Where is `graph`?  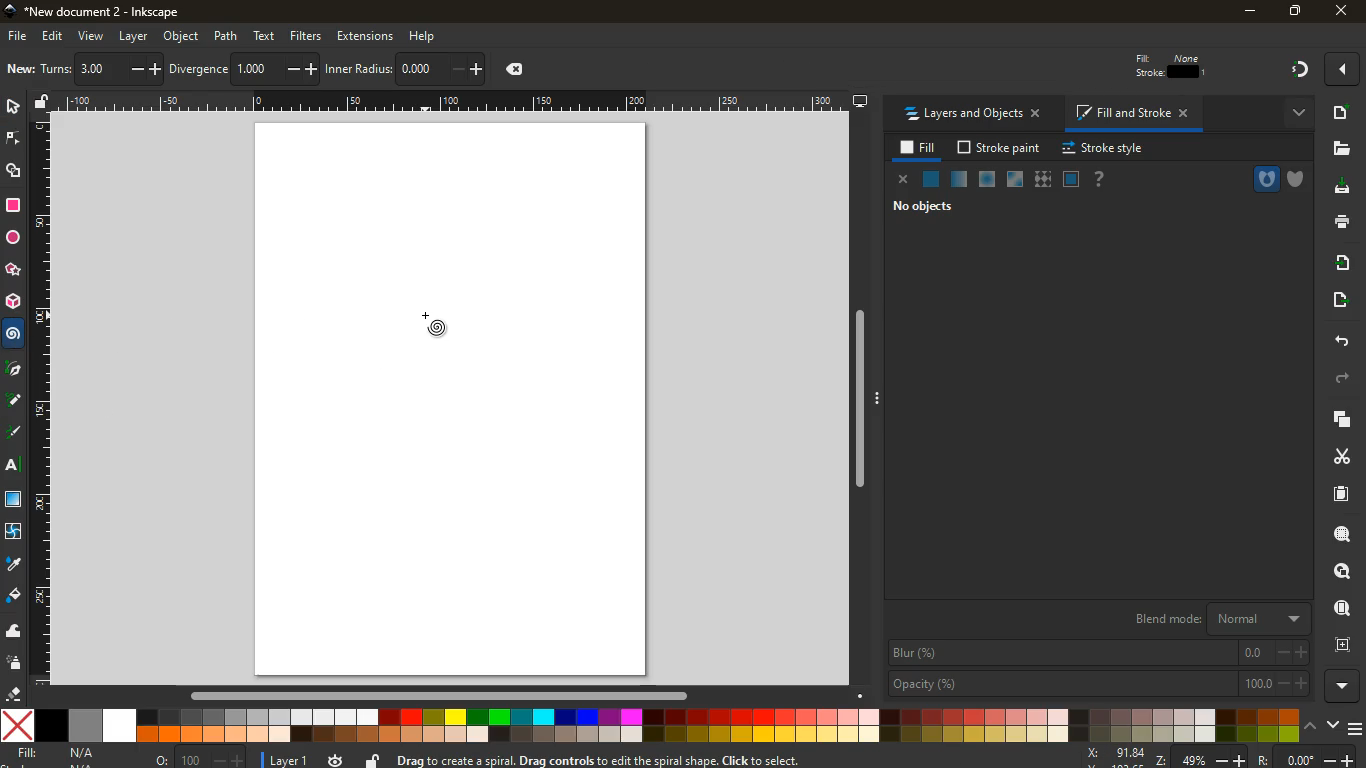
graph is located at coordinates (442, 69).